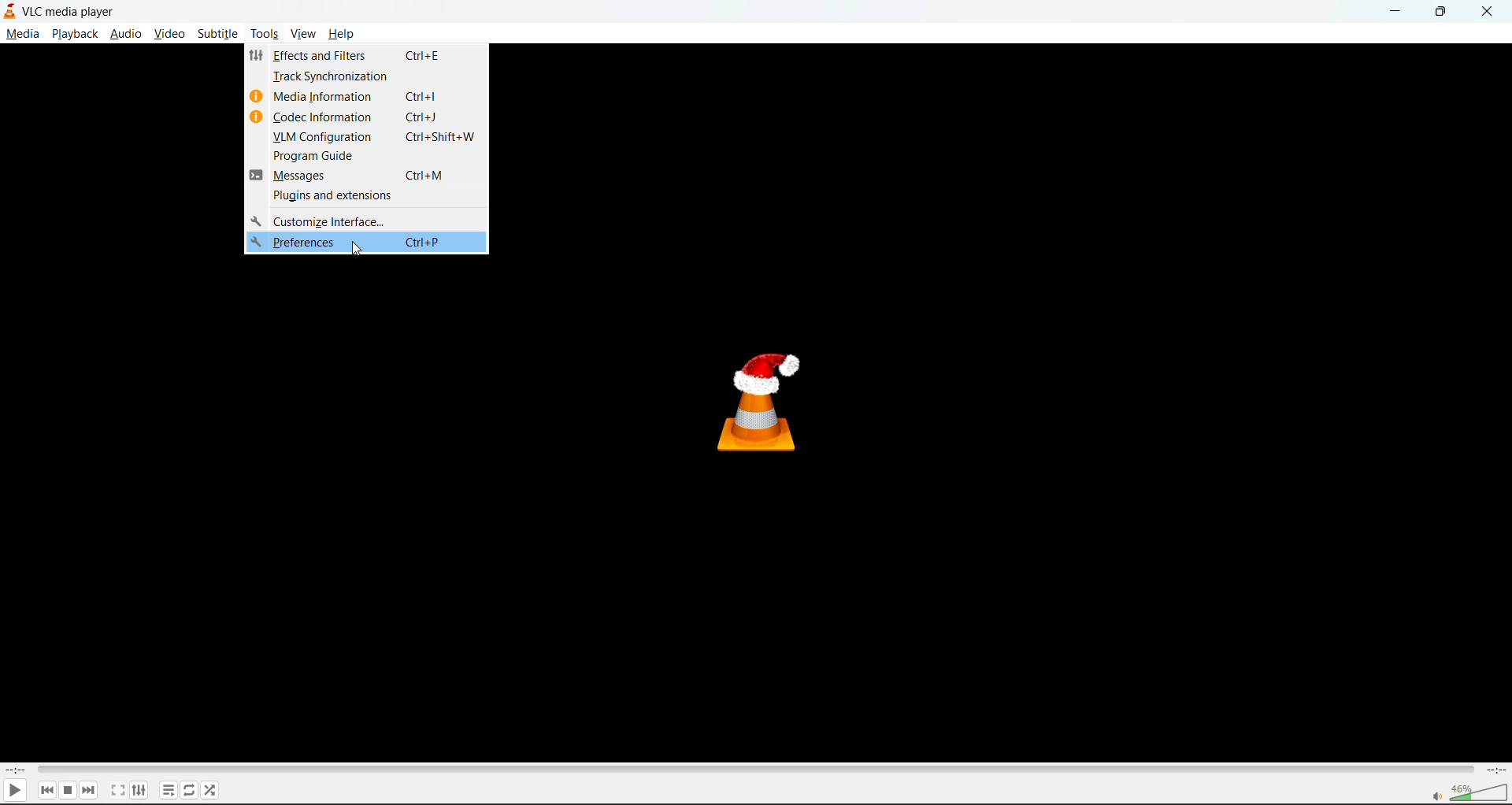  I want to click on playlist, so click(168, 789).